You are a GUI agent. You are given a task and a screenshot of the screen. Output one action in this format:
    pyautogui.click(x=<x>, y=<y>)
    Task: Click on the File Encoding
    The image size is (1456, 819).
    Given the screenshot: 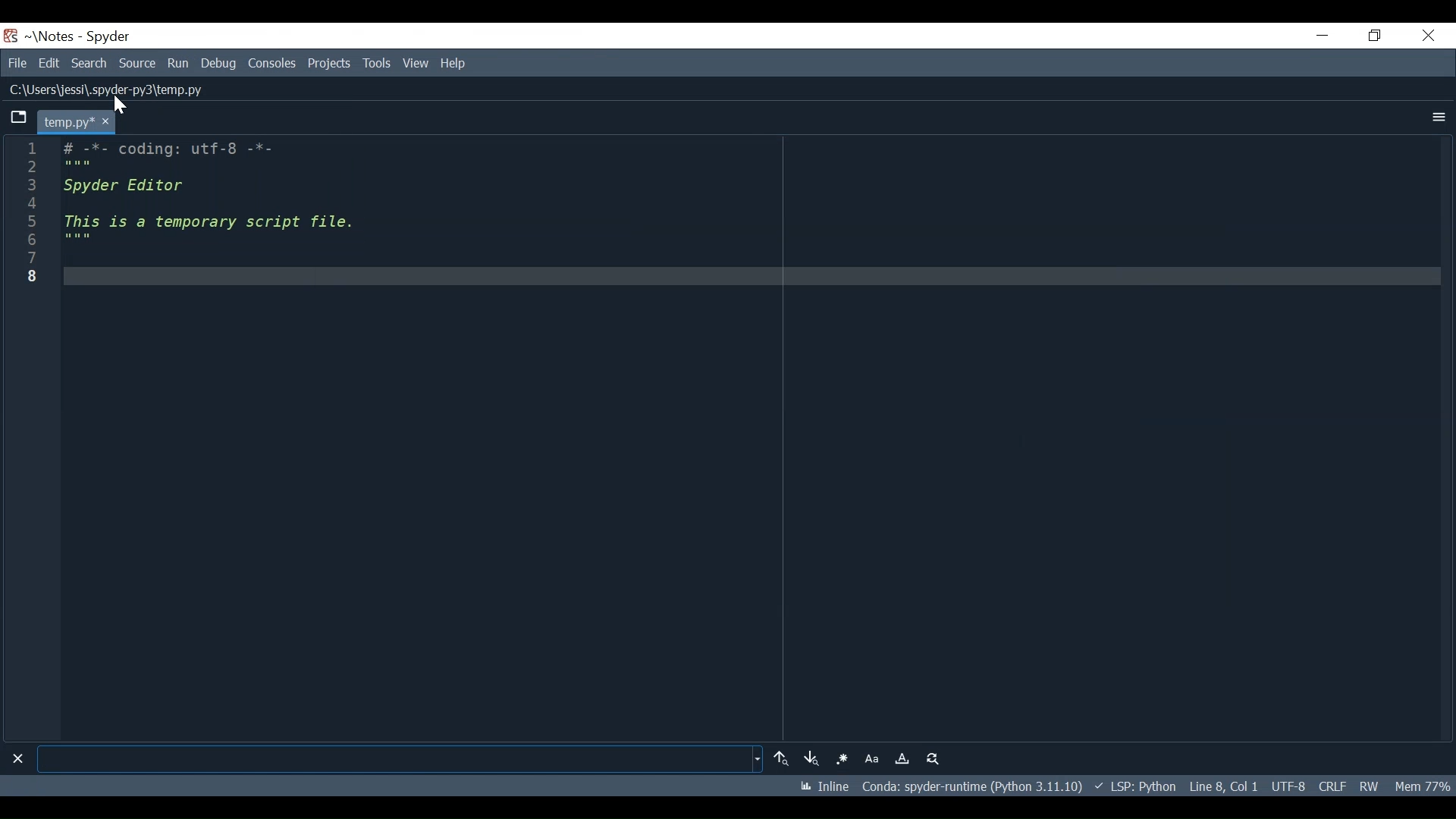 What is the action you would take?
    pyautogui.click(x=1288, y=785)
    